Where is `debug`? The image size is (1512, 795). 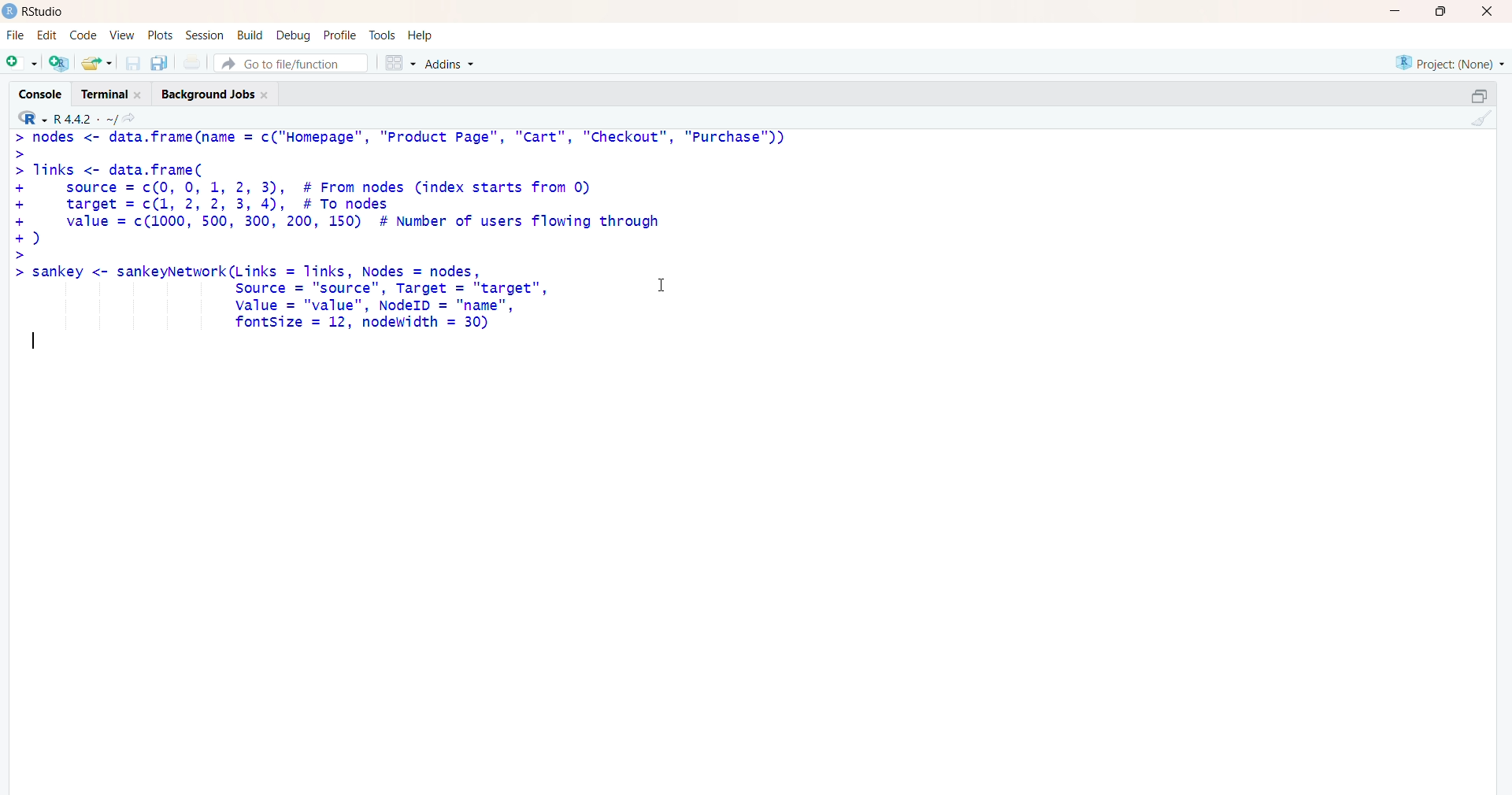 debug is located at coordinates (291, 35).